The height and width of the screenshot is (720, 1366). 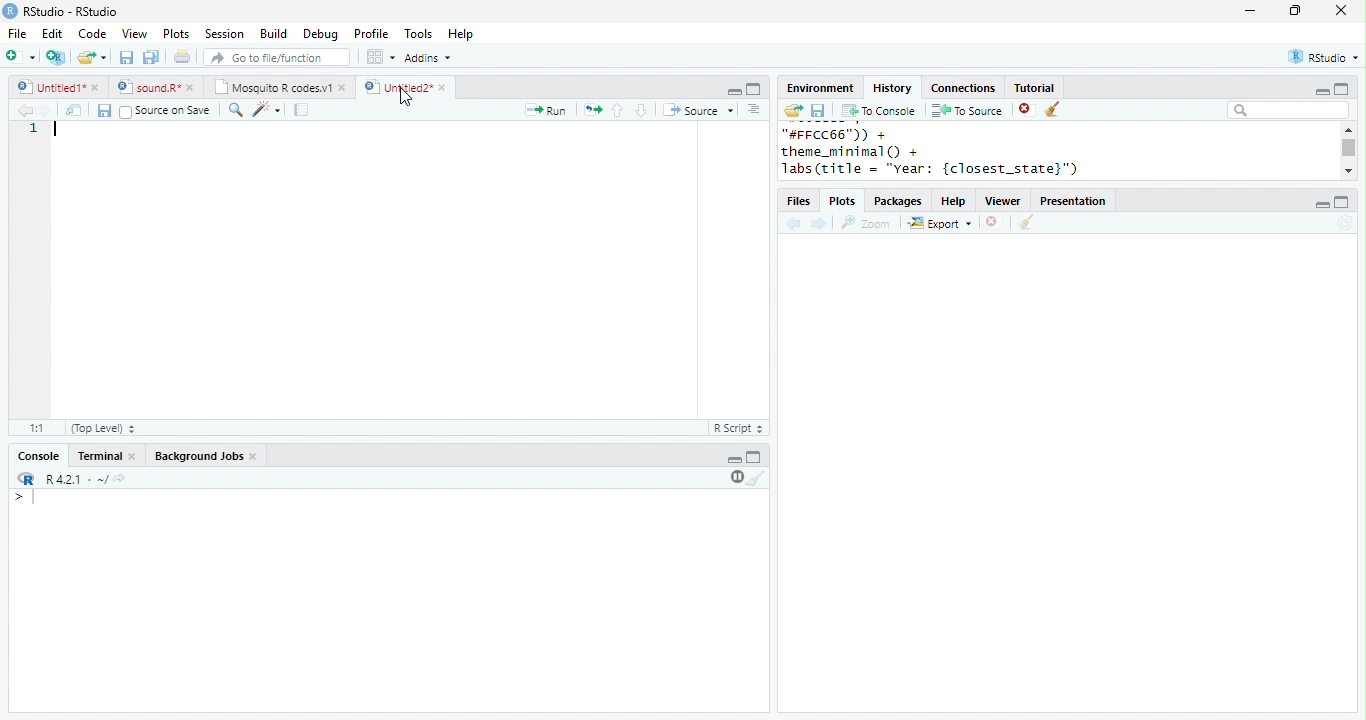 What do you see at coordinates (273, 87) in the screenshot?
I see `Mosquito R codes.v1` at bounding box center [273, 87].